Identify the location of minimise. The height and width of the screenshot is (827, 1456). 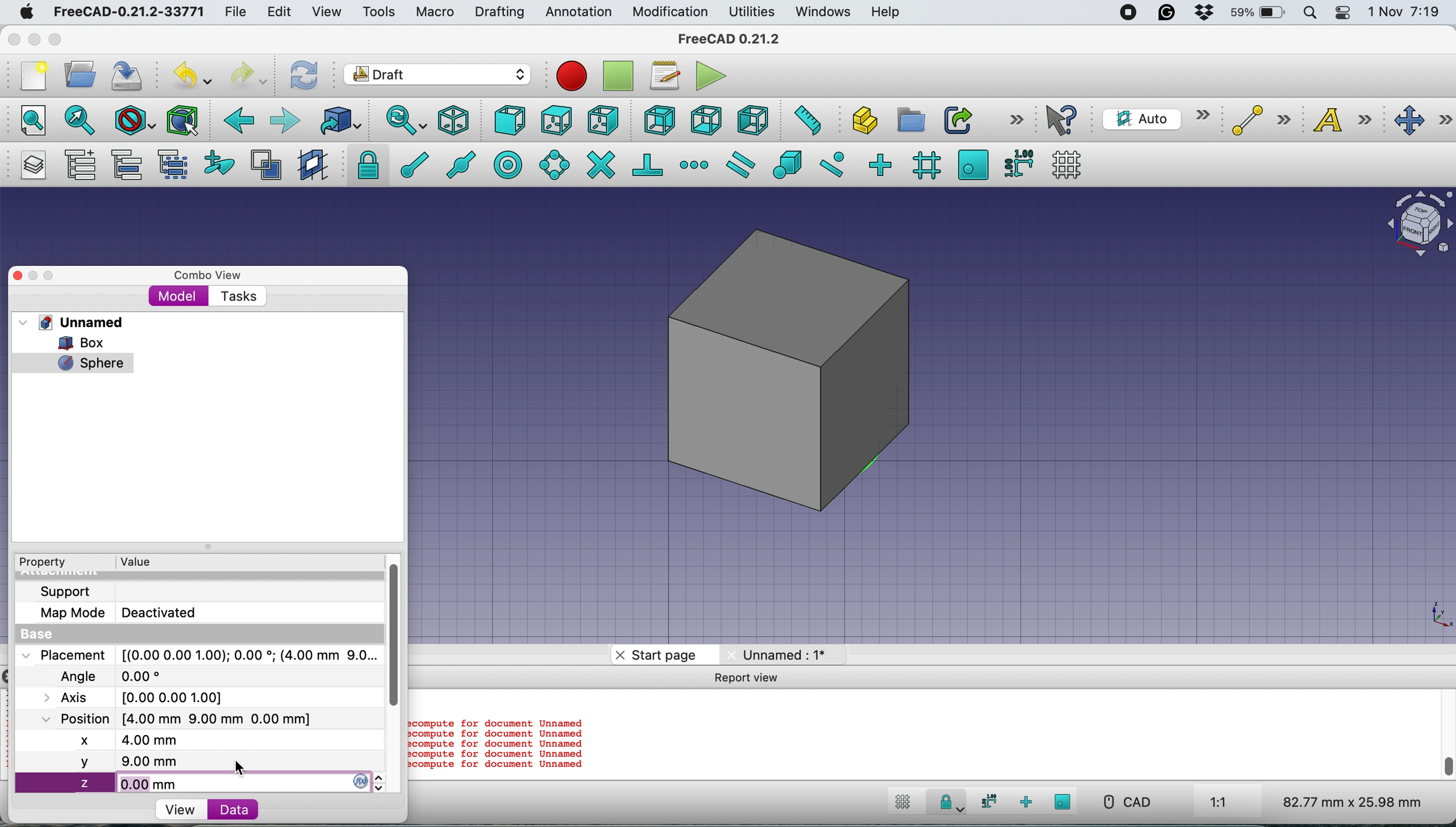
(33, 39).